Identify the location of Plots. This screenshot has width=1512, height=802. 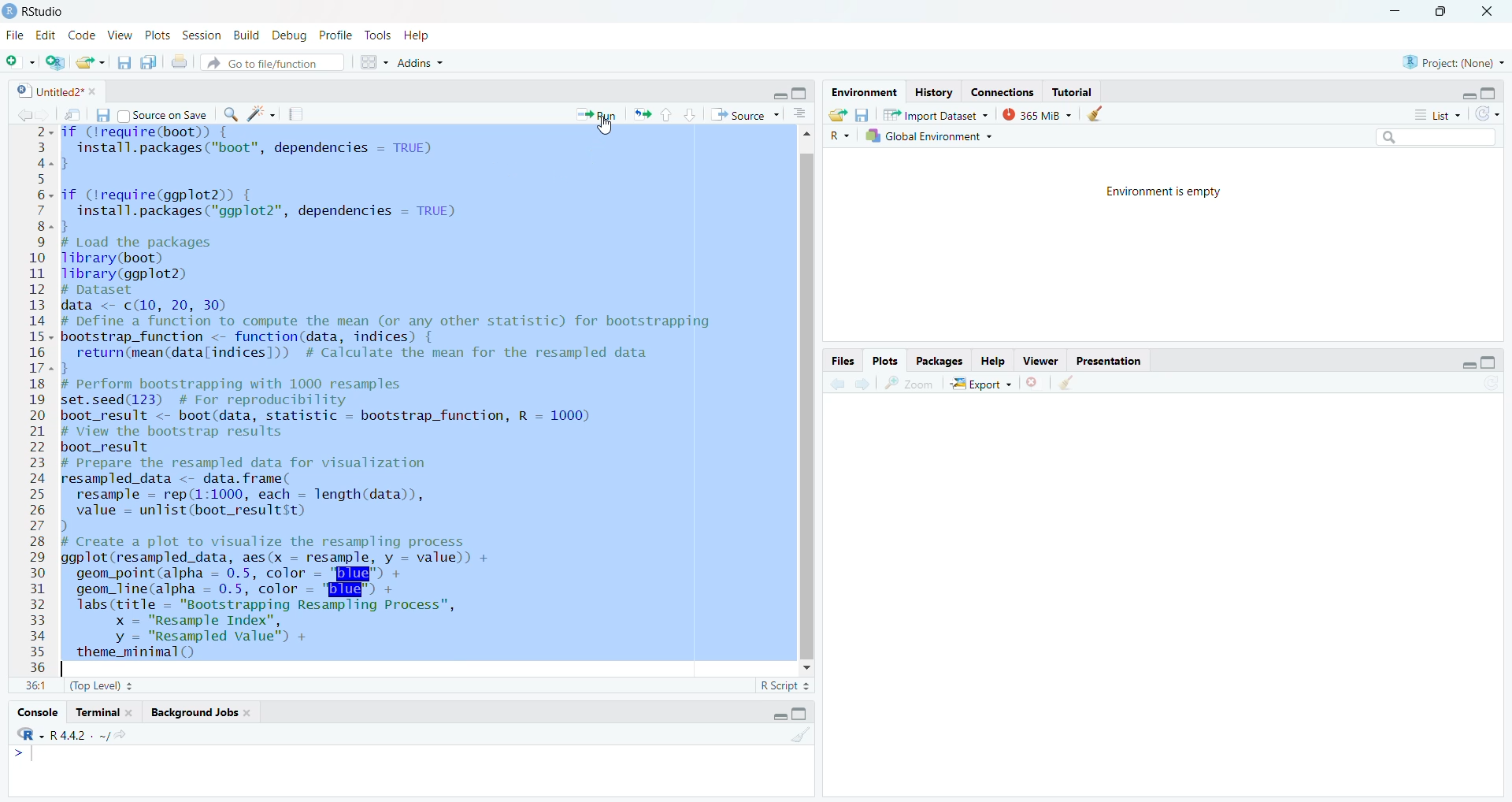
(884, 359).